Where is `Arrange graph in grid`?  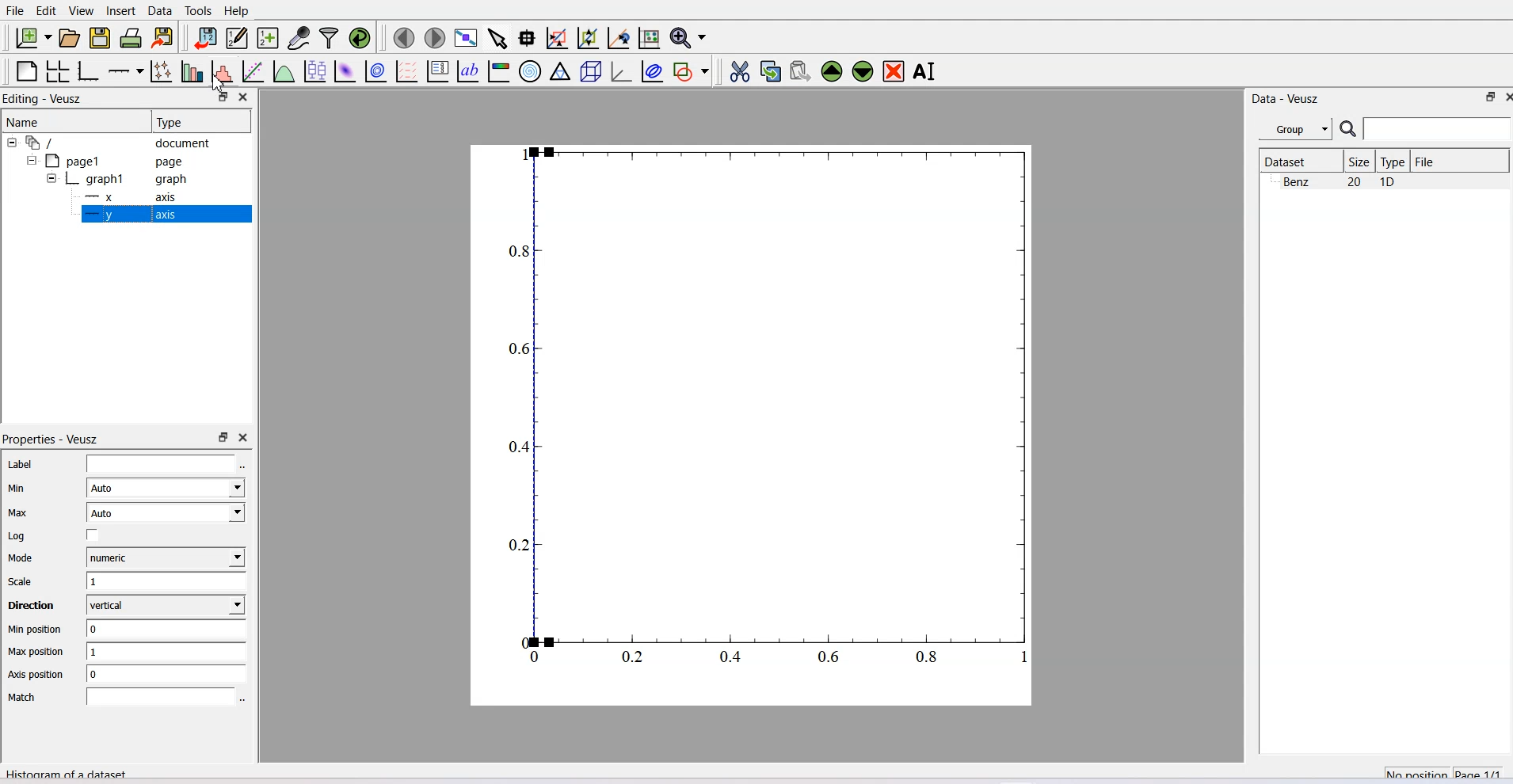 Arrange graph in grid is located at coordinates (57, 71).